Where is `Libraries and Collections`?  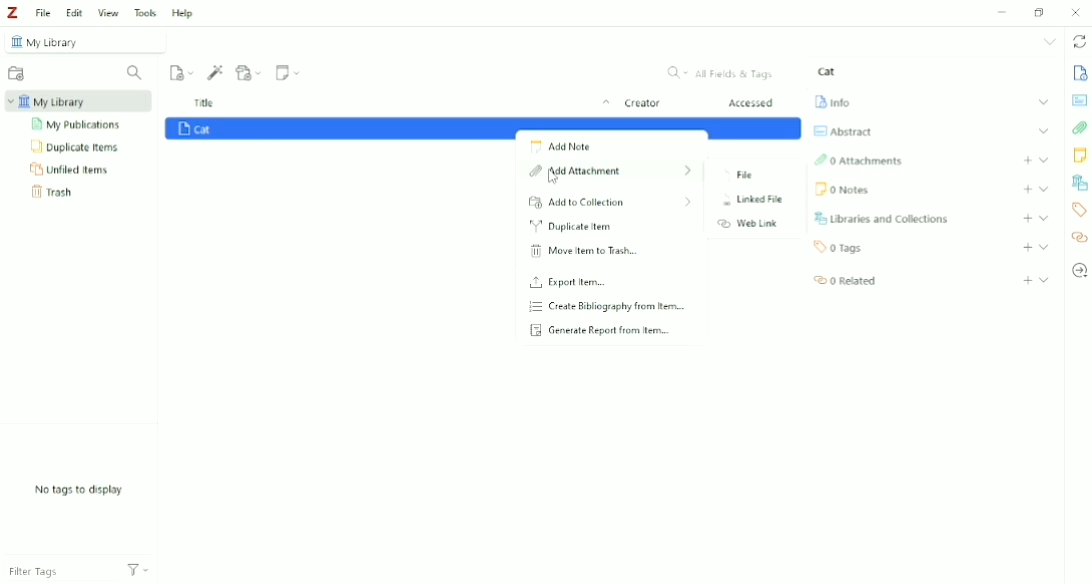 Libraries and Collections is located at coordinates (1079, 183).